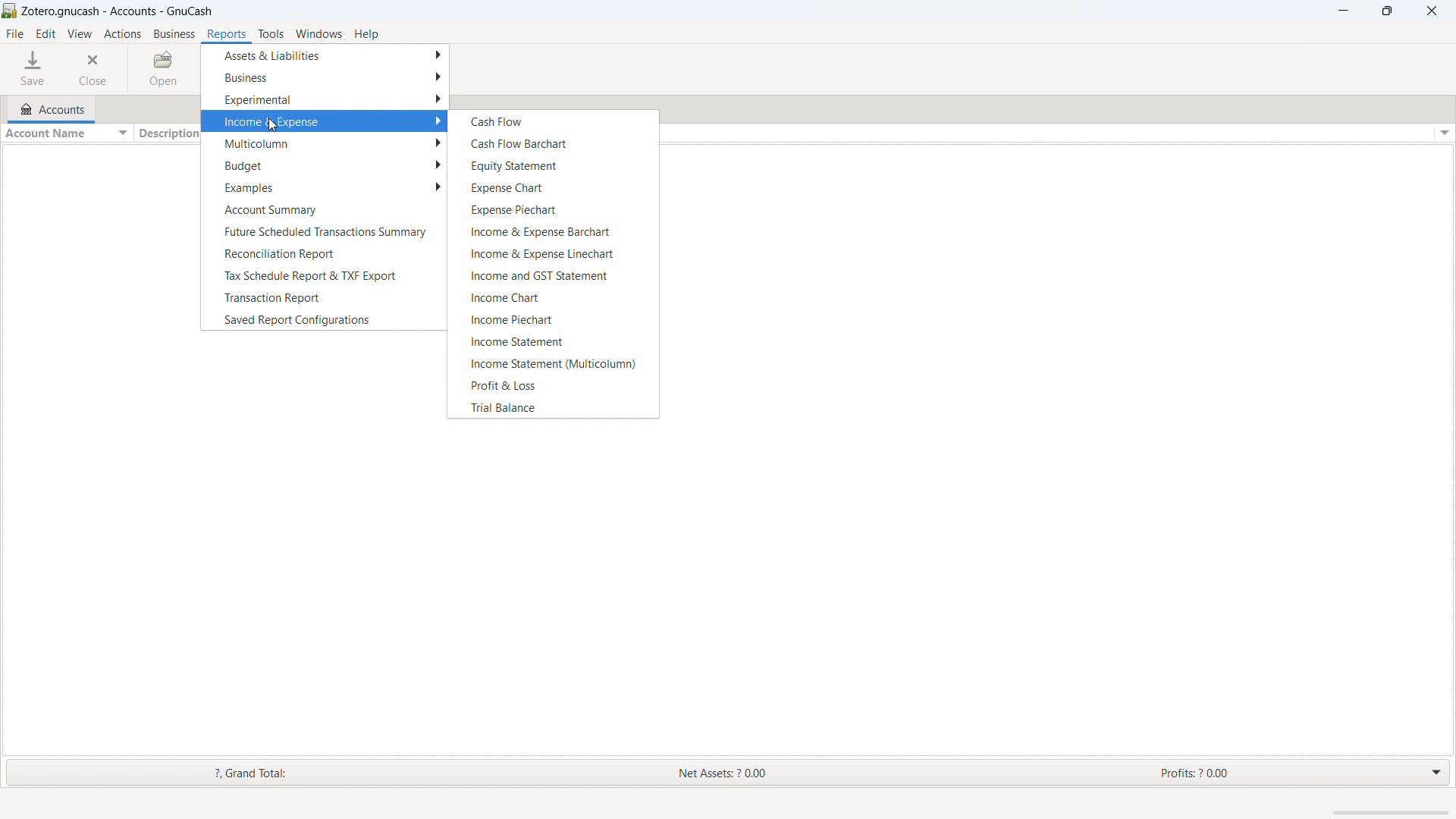  Describe the element at coordinates (552, 318) in the screenshot. I see `income piechart` at that location.